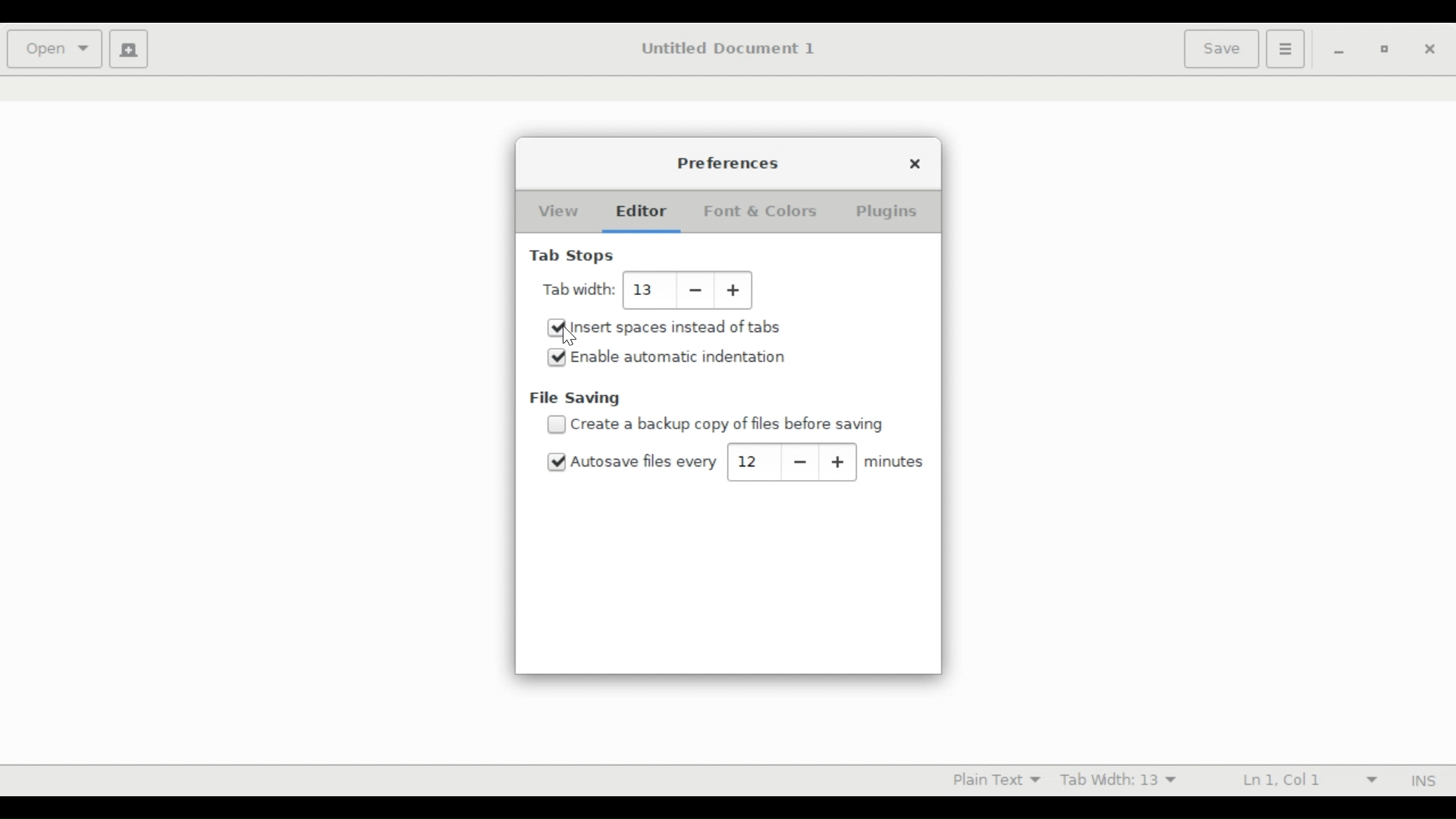 Image resolution: width=1456 pixels, height=819 pixels. What do you see at coordinates (557, 357) in the screenshot?
I see `Selected` at bounding box center [557, 357].